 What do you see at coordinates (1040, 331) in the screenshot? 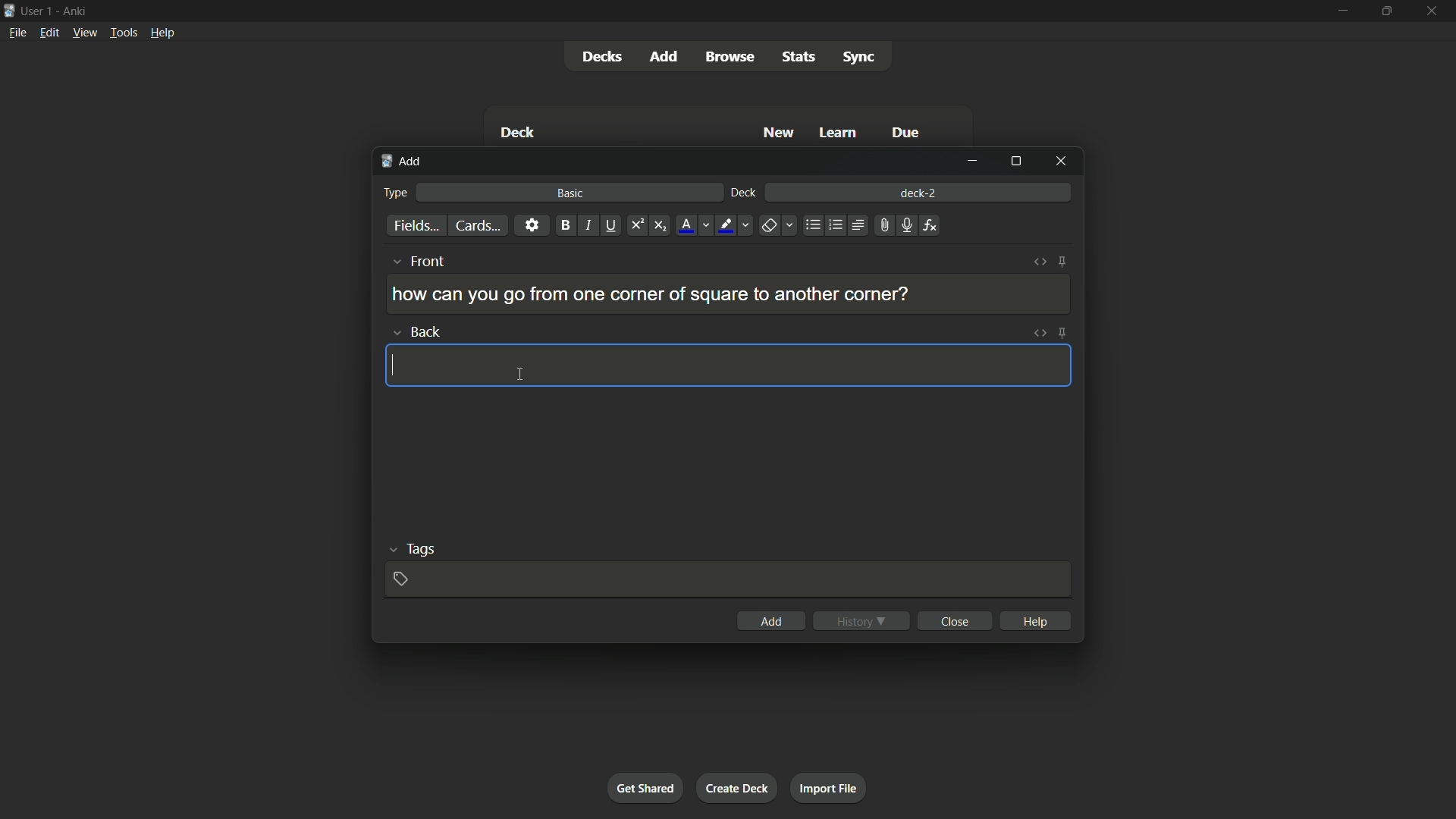
I see `toggle html editor` at bounding box center [1040, 331].